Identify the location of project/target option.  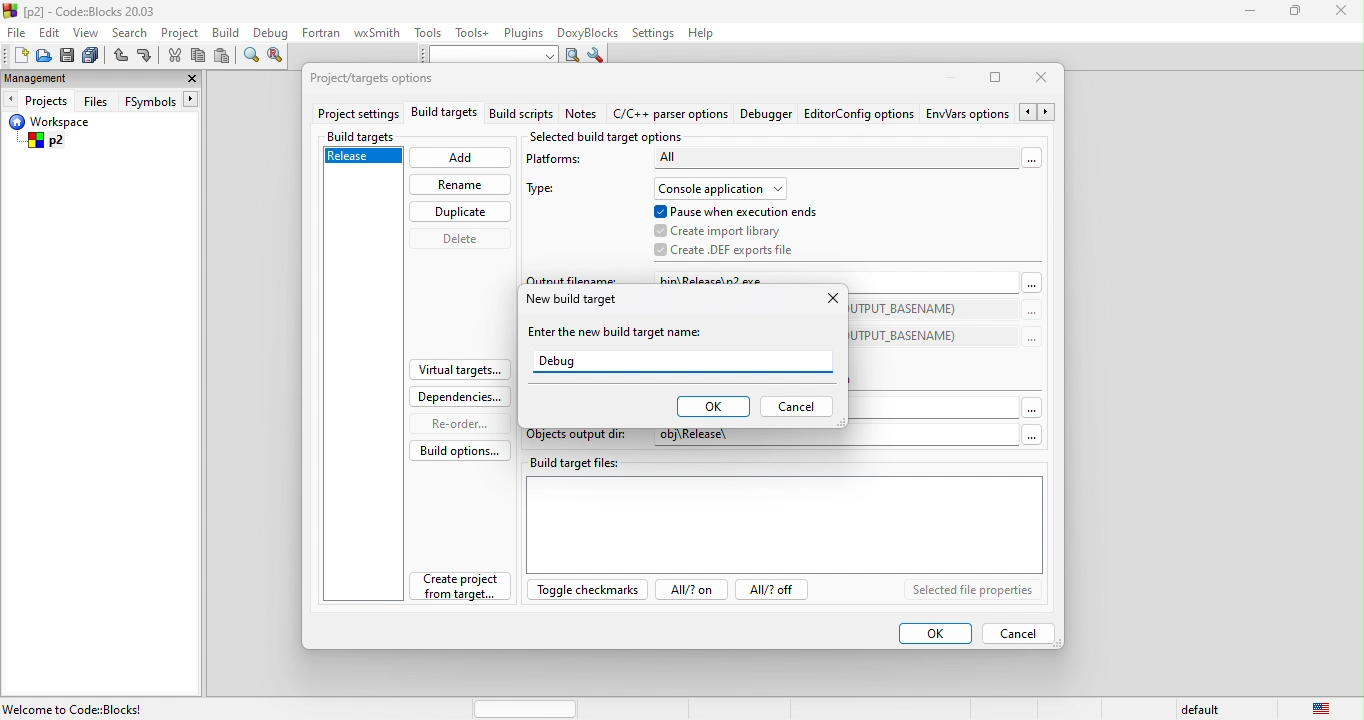
(378, 76).